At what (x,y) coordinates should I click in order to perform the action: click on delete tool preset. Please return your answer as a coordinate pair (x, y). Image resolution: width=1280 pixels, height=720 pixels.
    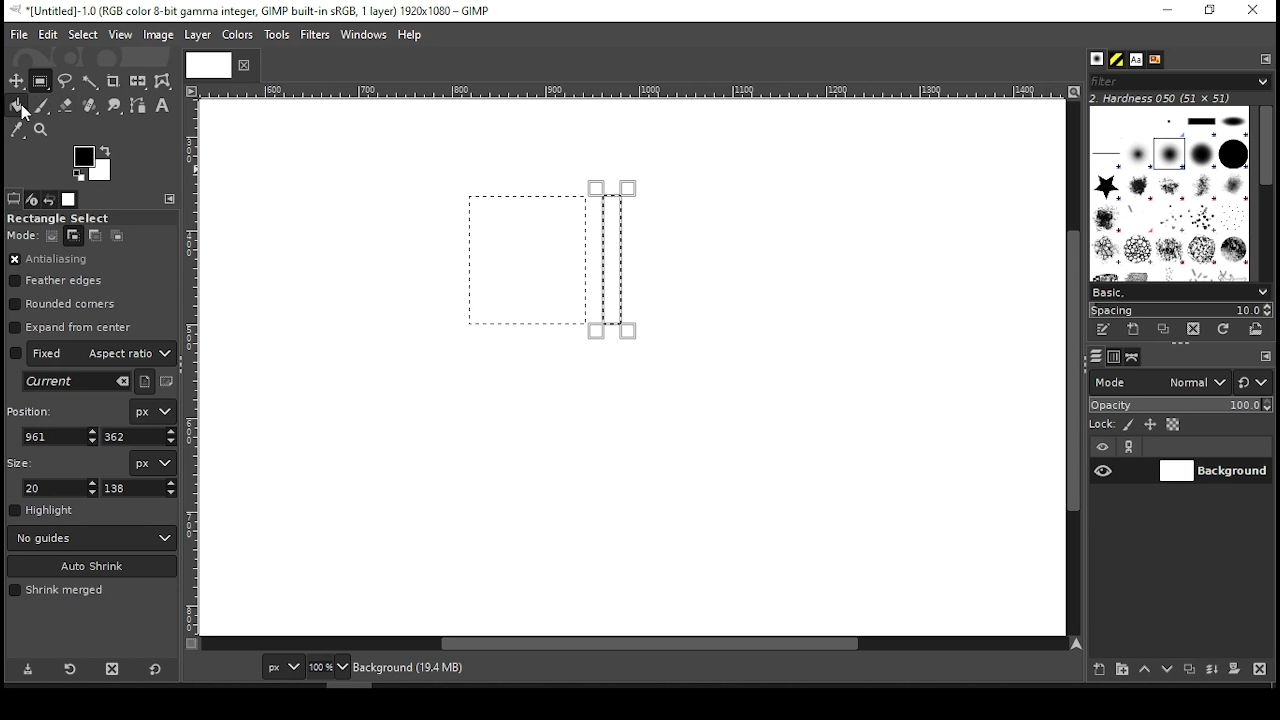
    Looking at the image, I should click on (118, 668).